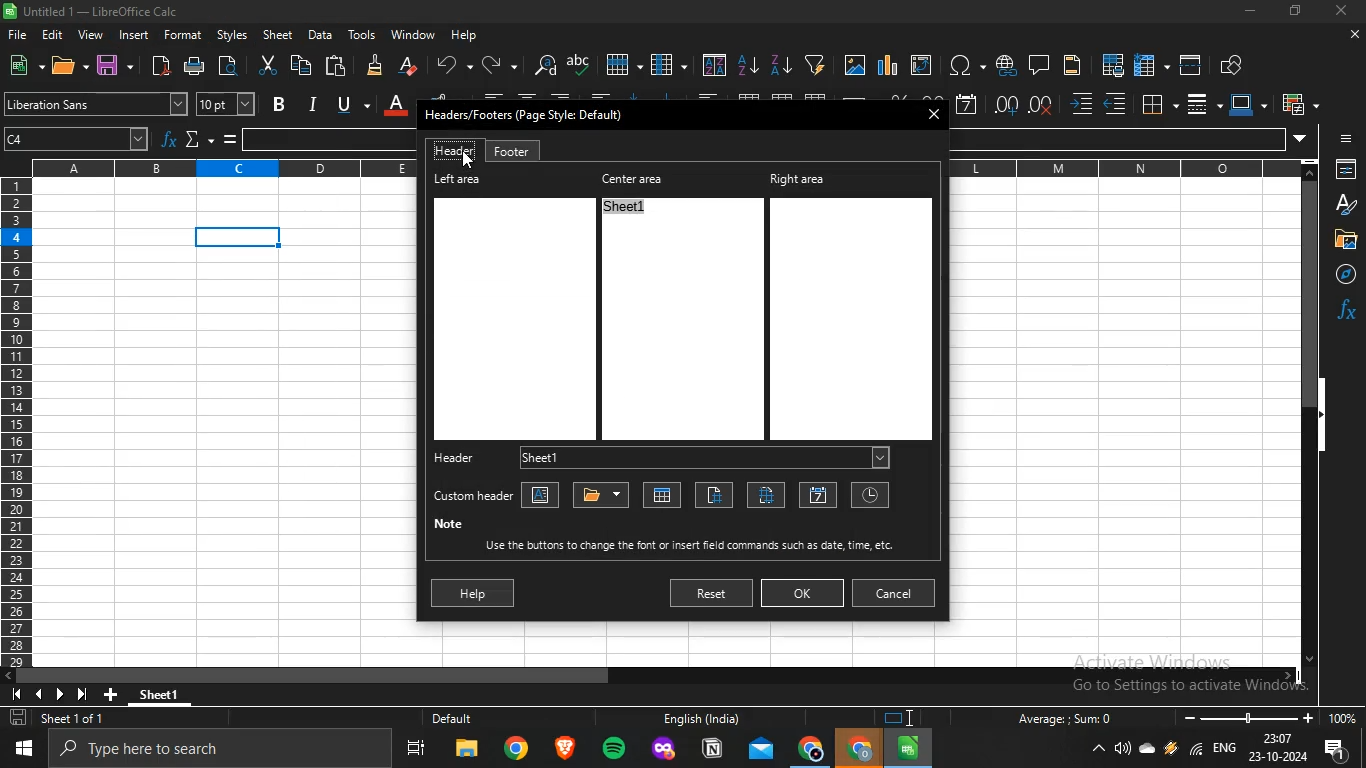 This screenshot has width=1366, height=768. I want to click on row, so click(621, 64).